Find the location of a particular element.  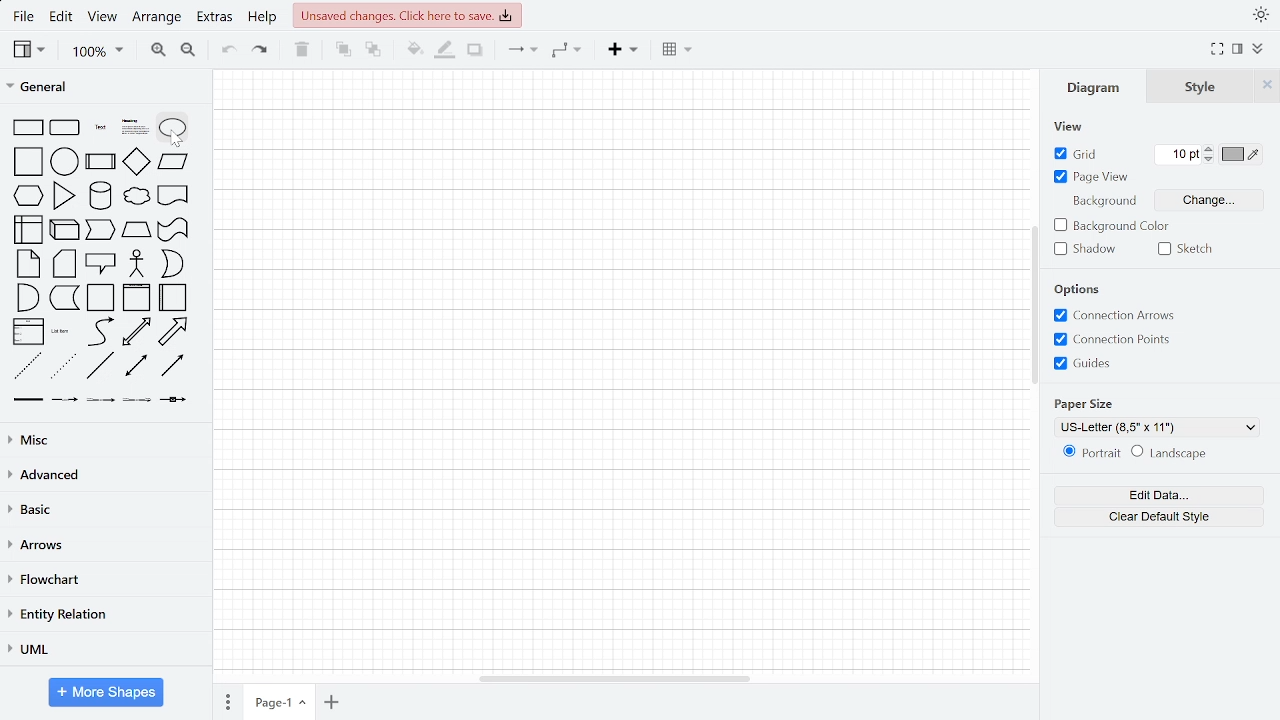

zoom is located at coordinates (90, 51).